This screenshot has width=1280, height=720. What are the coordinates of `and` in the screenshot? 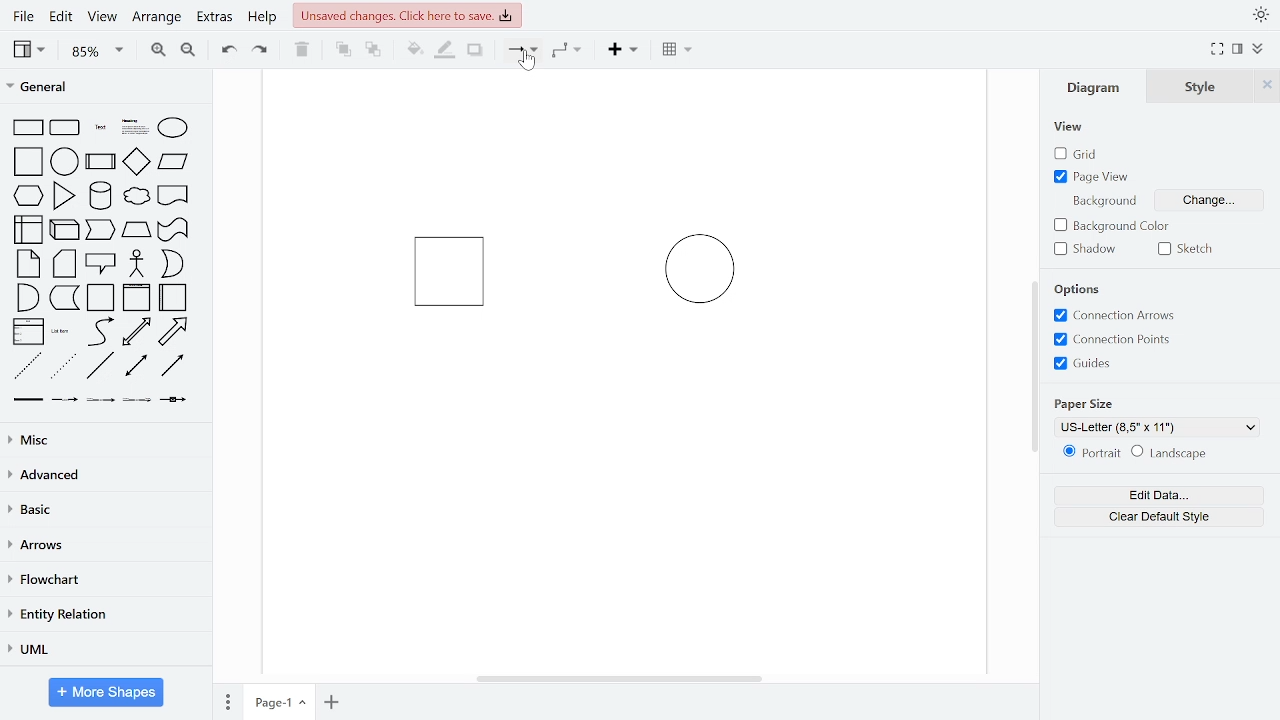 It's located at (28, 296).